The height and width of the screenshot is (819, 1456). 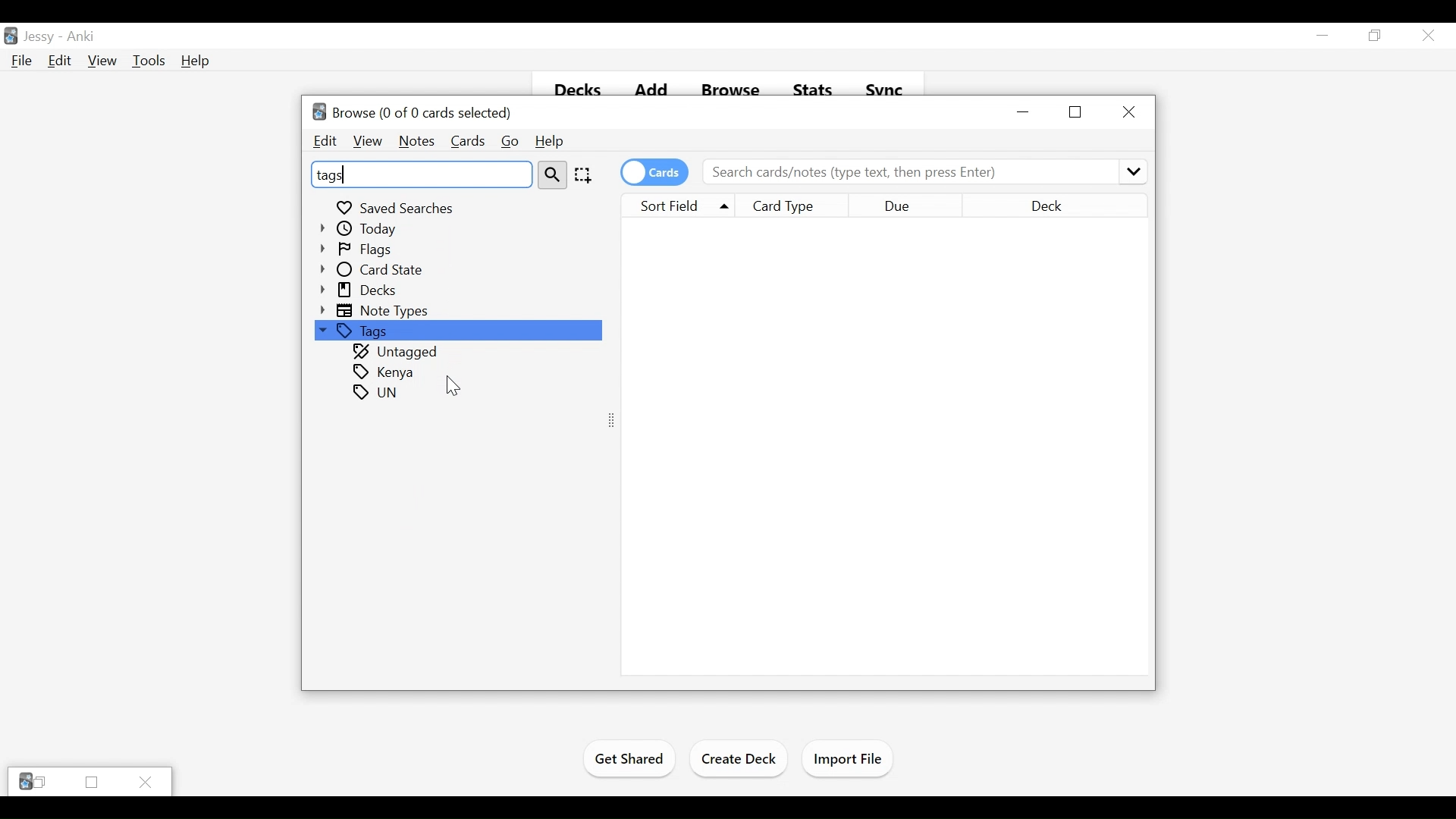 I want to click on Edit, so click(x=326, y=142).